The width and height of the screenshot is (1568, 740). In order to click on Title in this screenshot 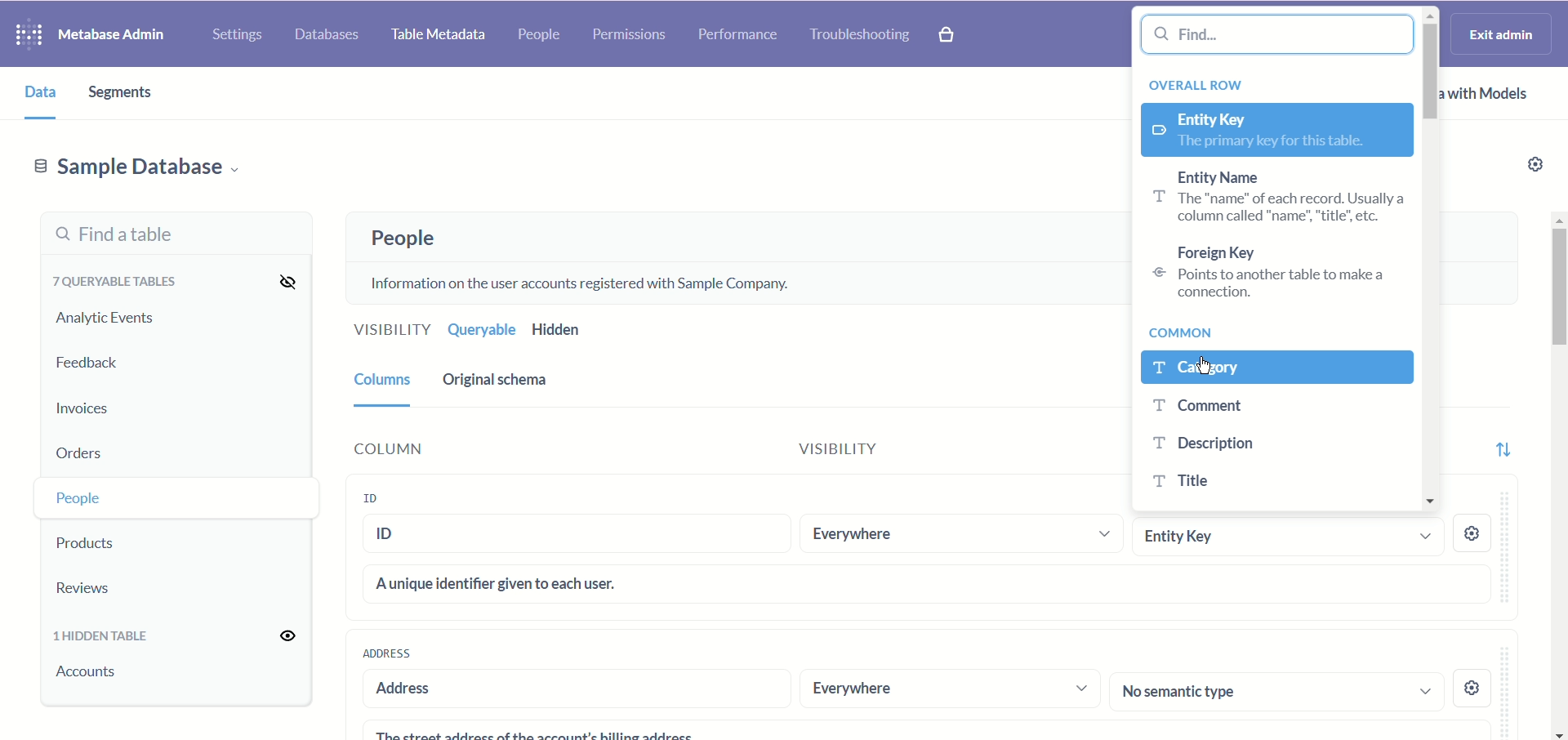, I will do `click(1266, 479)`.